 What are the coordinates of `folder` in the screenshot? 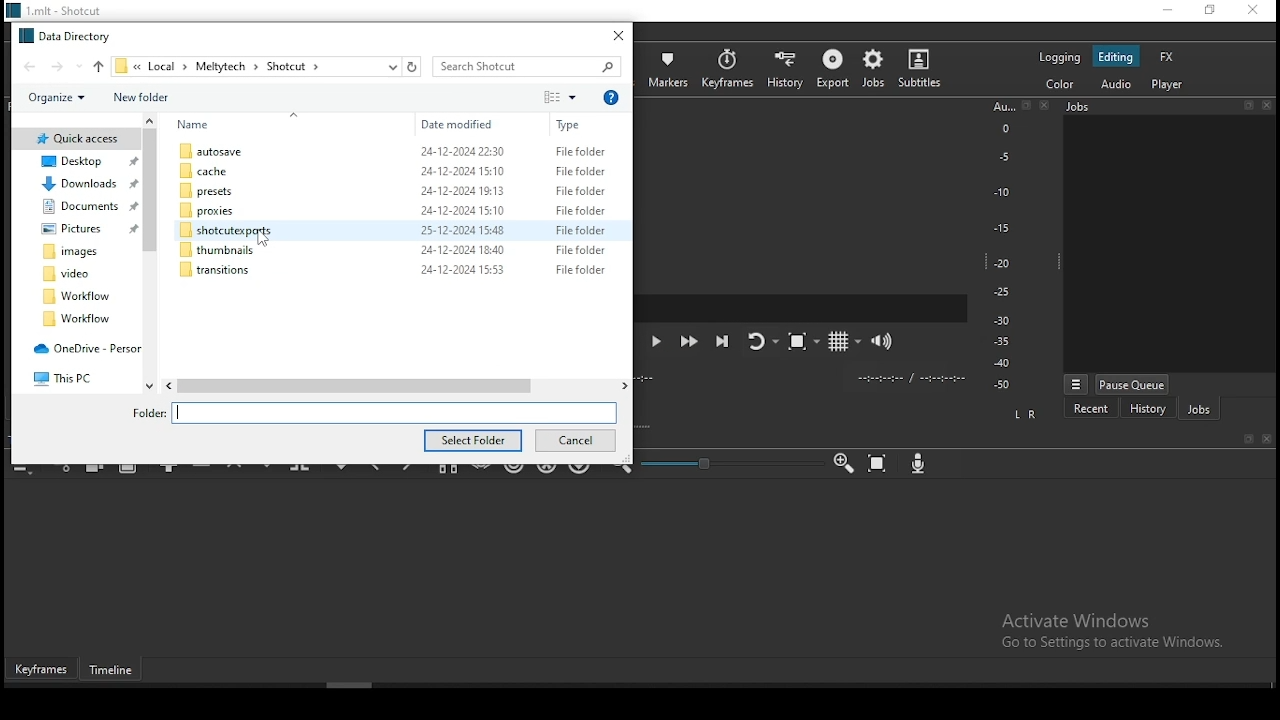 It's located at (235, 231).